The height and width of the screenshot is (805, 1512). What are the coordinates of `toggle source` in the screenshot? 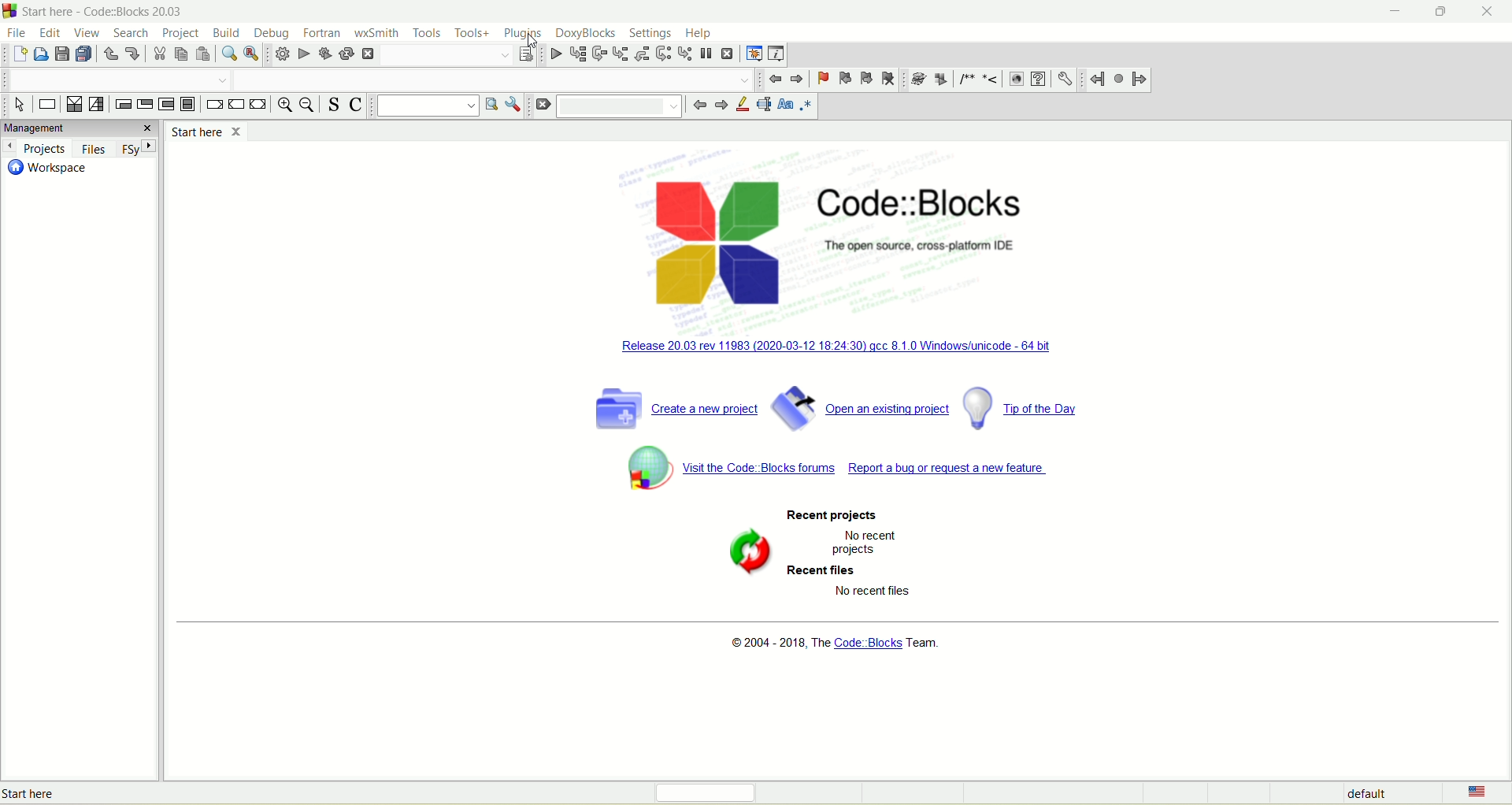 It's located at (331, 105).